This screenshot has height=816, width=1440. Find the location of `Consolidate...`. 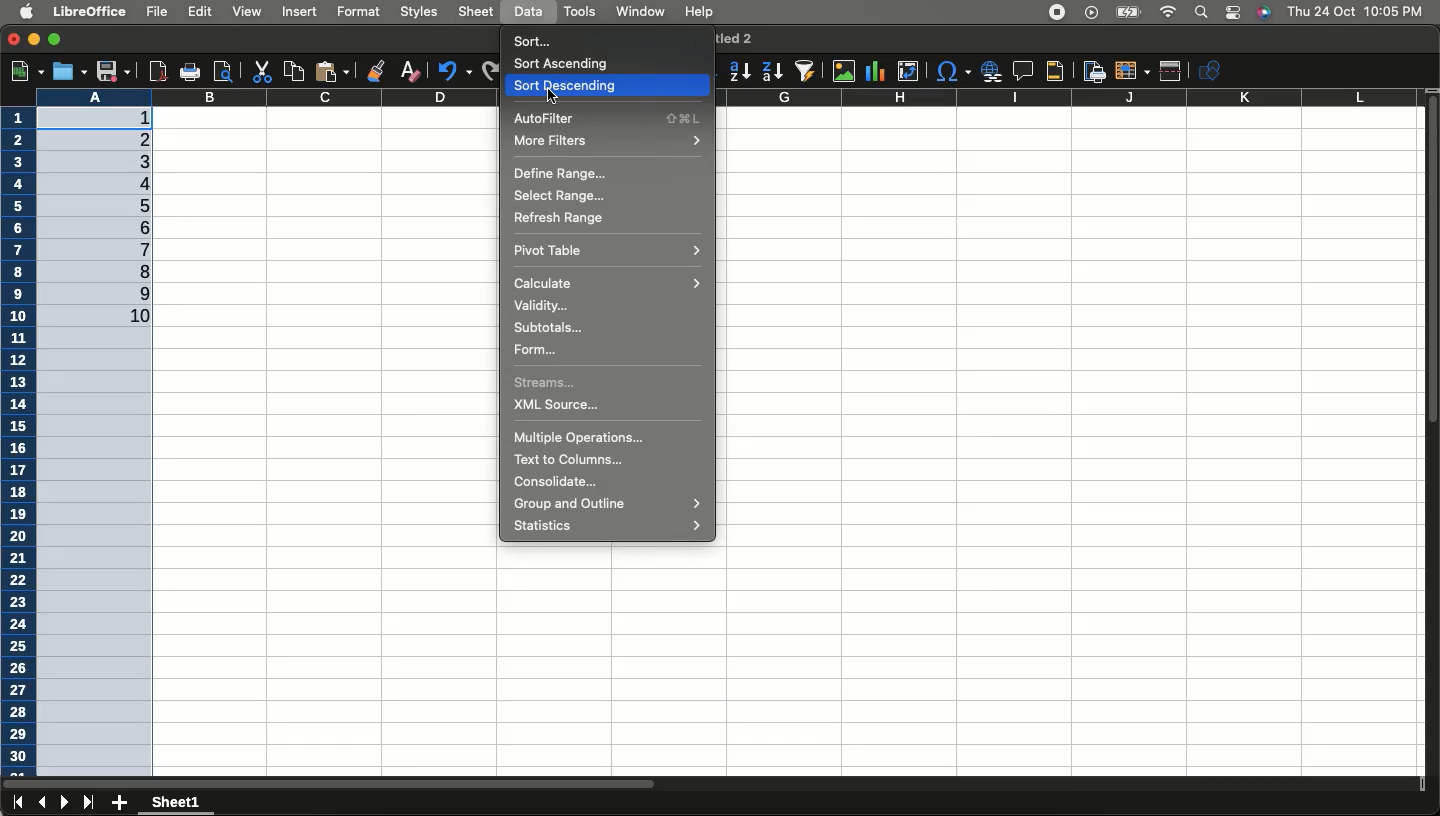

Consolidate... is located at coordinates (553, 484).